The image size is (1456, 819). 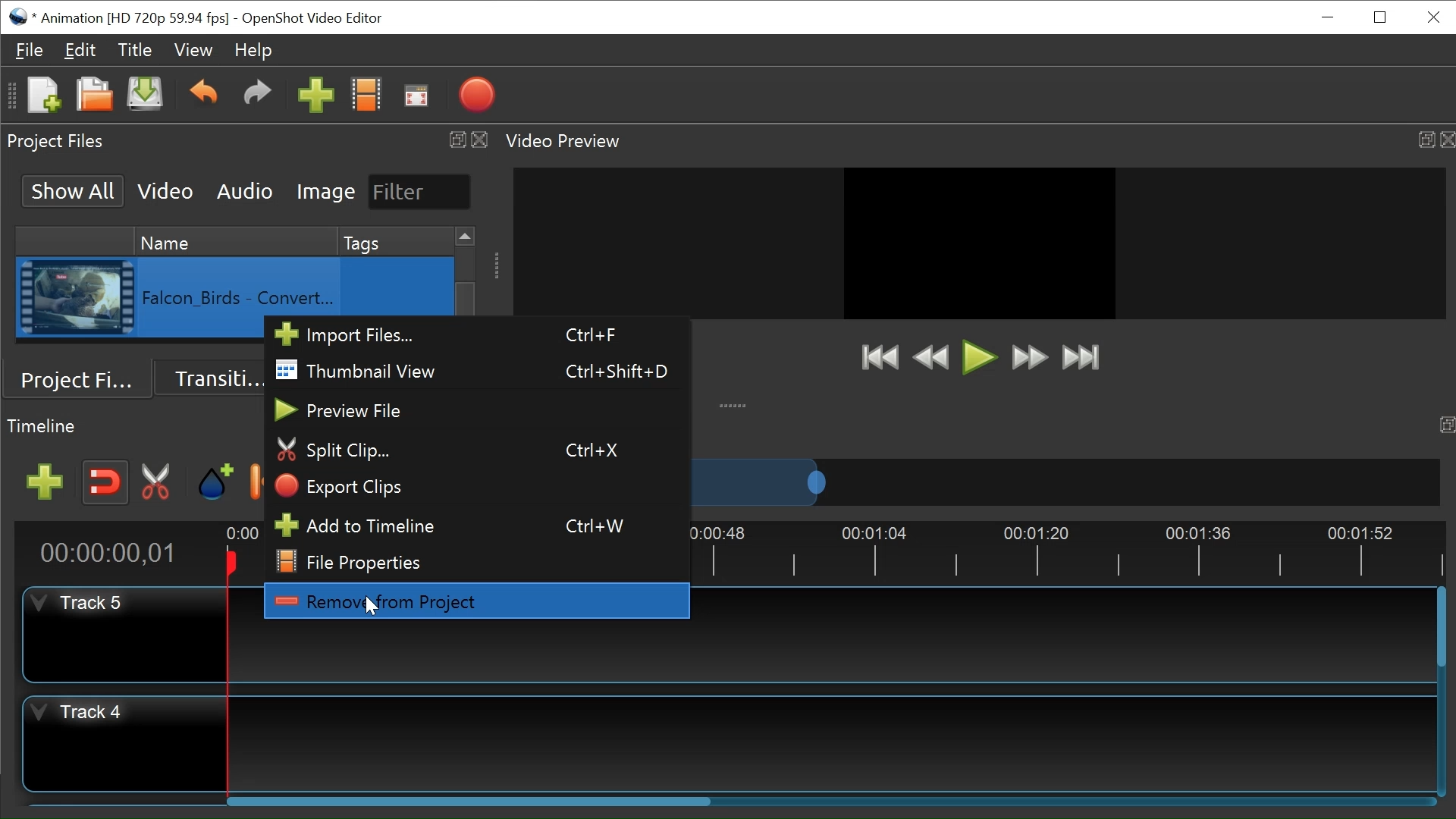 What do you see at coordinates (832, 745) in the screenshot?
I see `Track Panel` at bounding box center [832, 745].